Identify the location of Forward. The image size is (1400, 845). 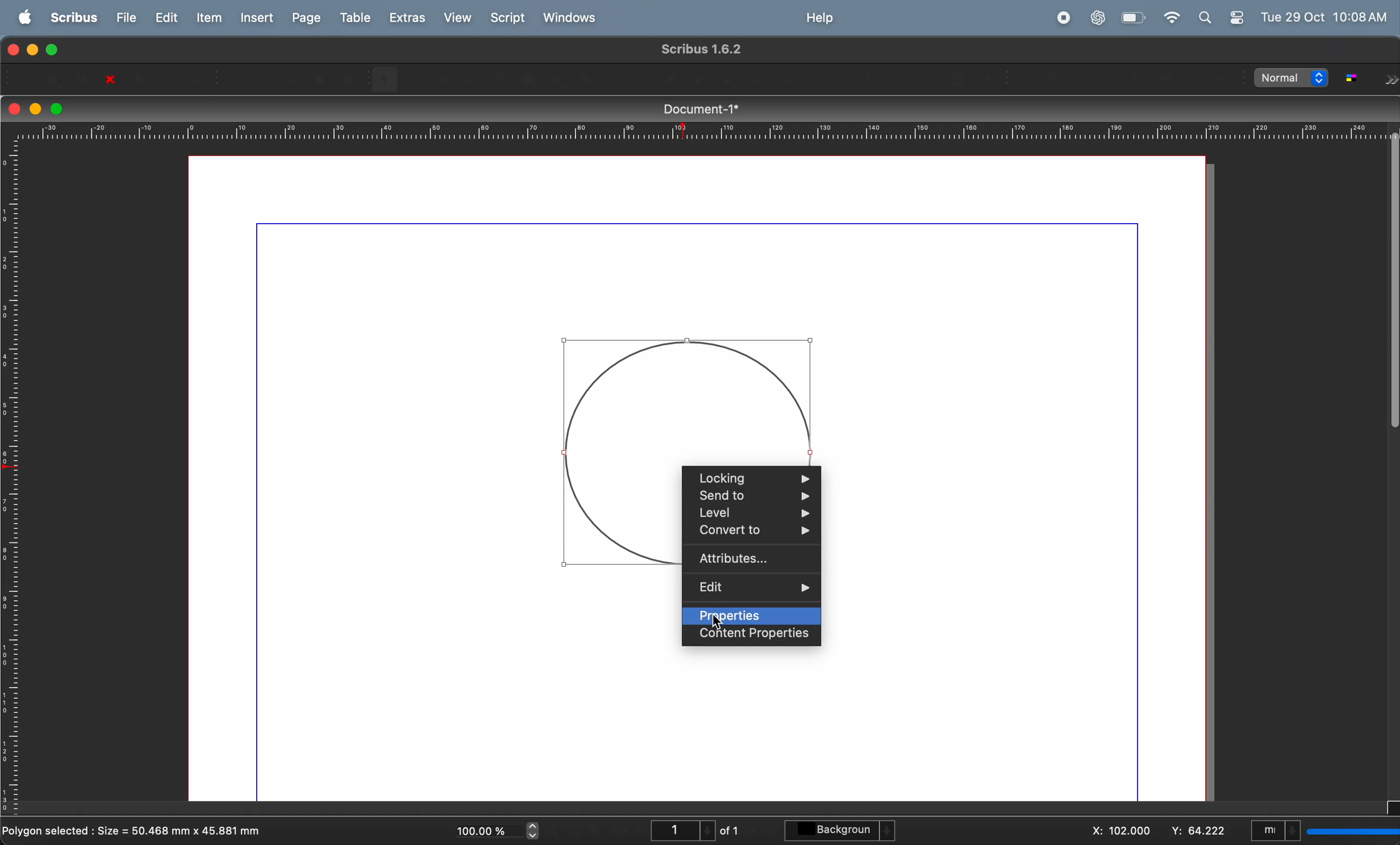
(1390, 79).